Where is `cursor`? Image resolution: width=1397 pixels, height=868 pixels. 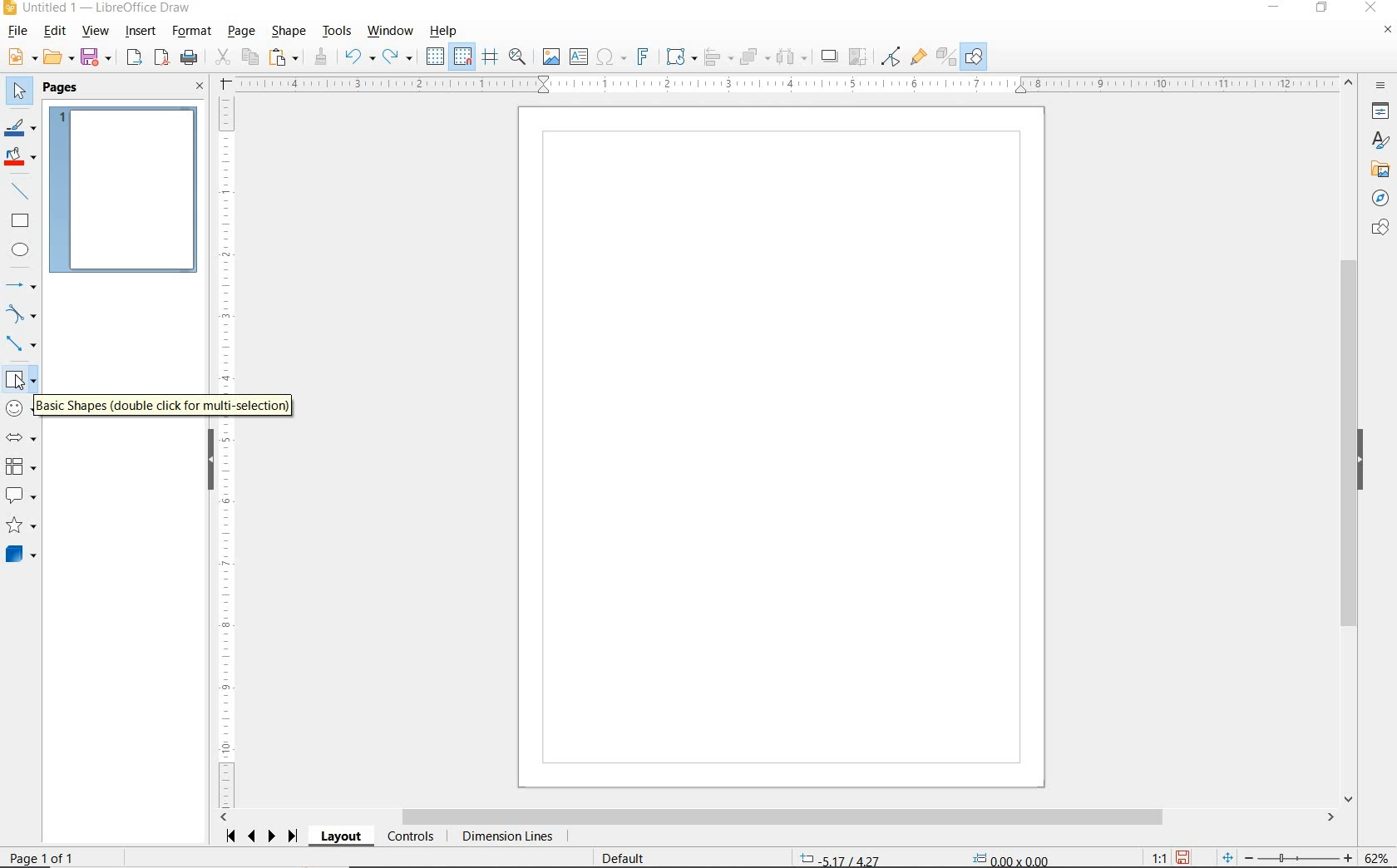
cursor is located at coordinates (20, 382).